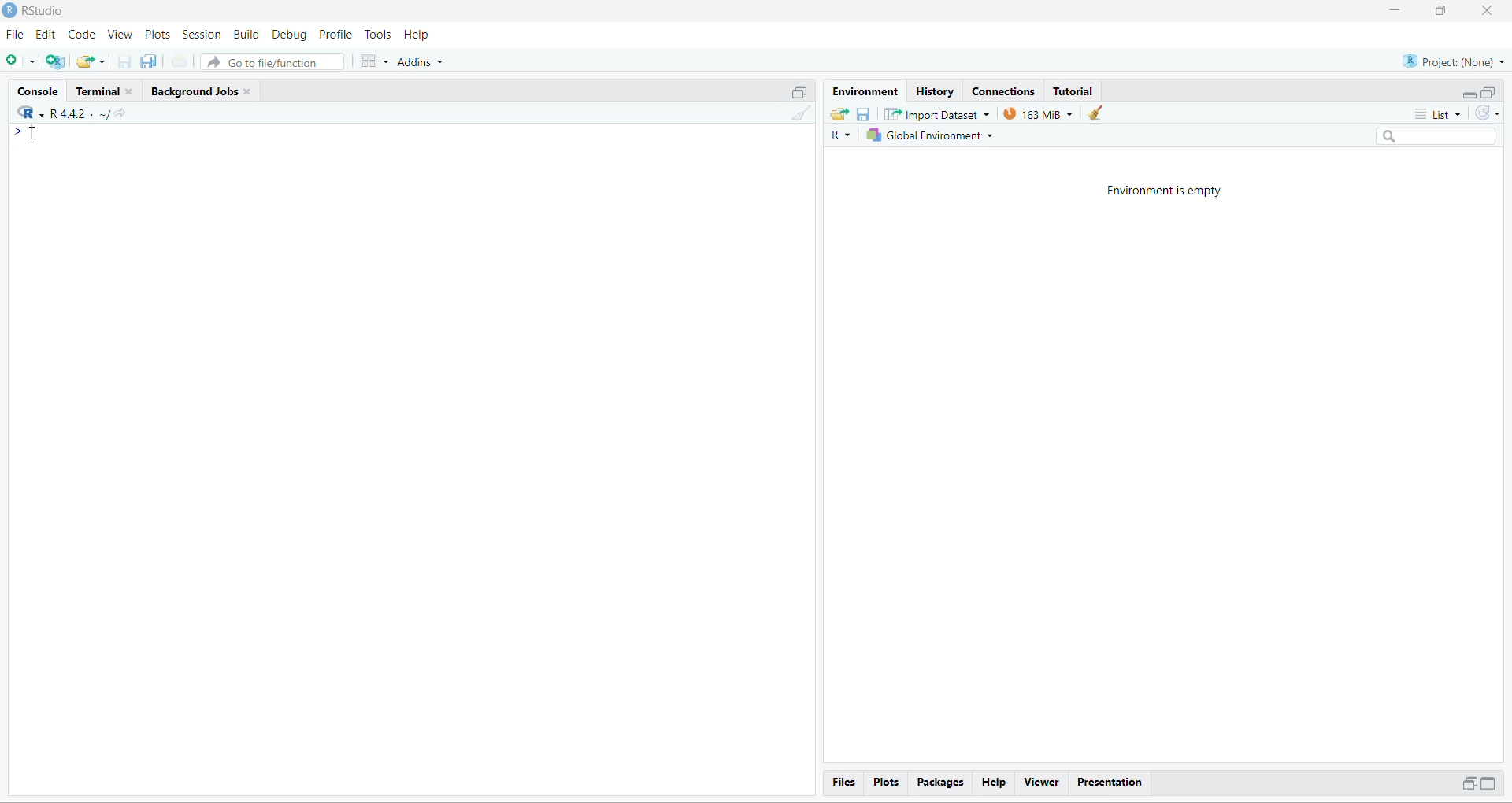  I want to click on File, so click(16, 35).